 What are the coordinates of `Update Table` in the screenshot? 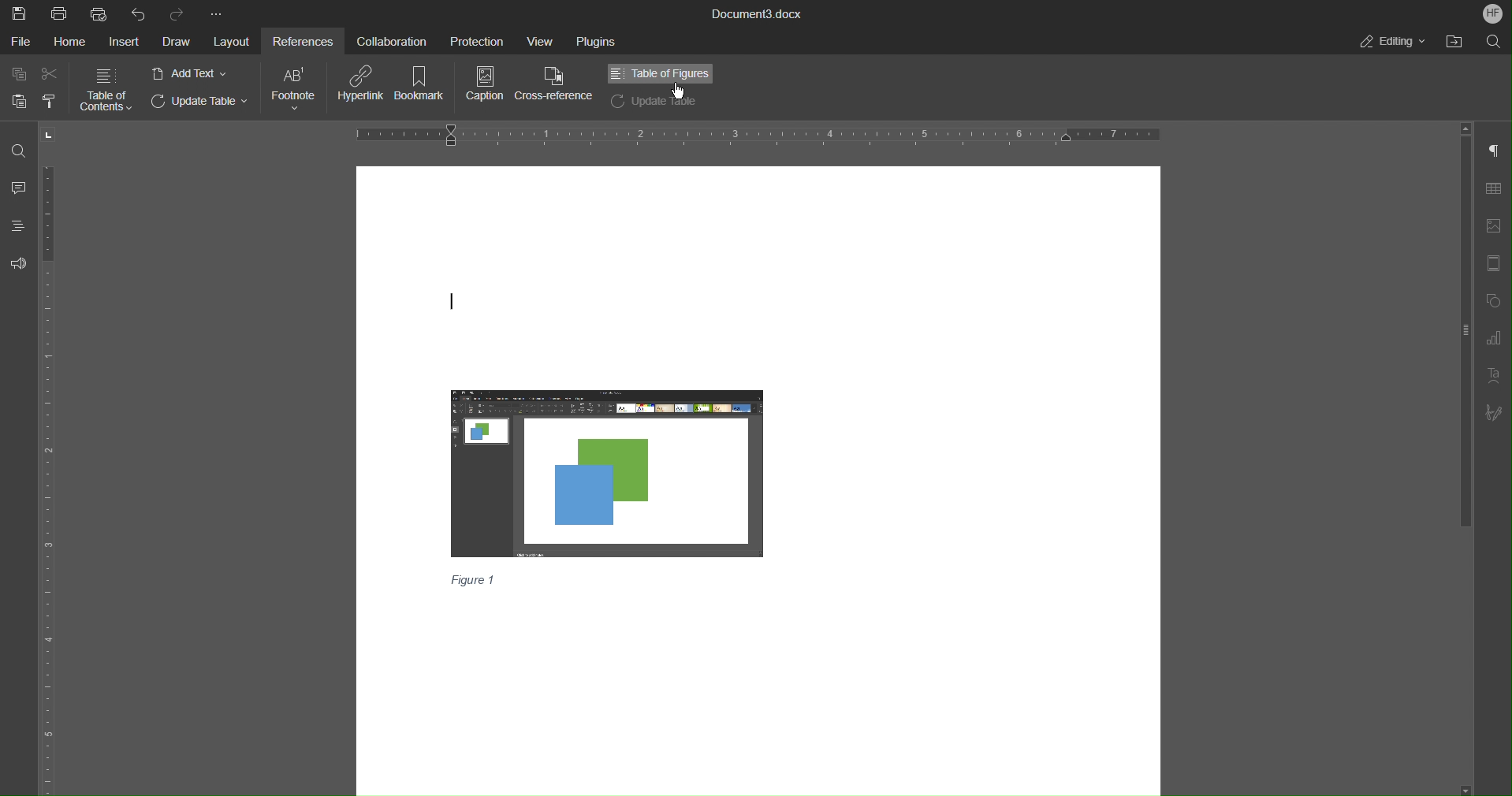 It's located at (203, 103).